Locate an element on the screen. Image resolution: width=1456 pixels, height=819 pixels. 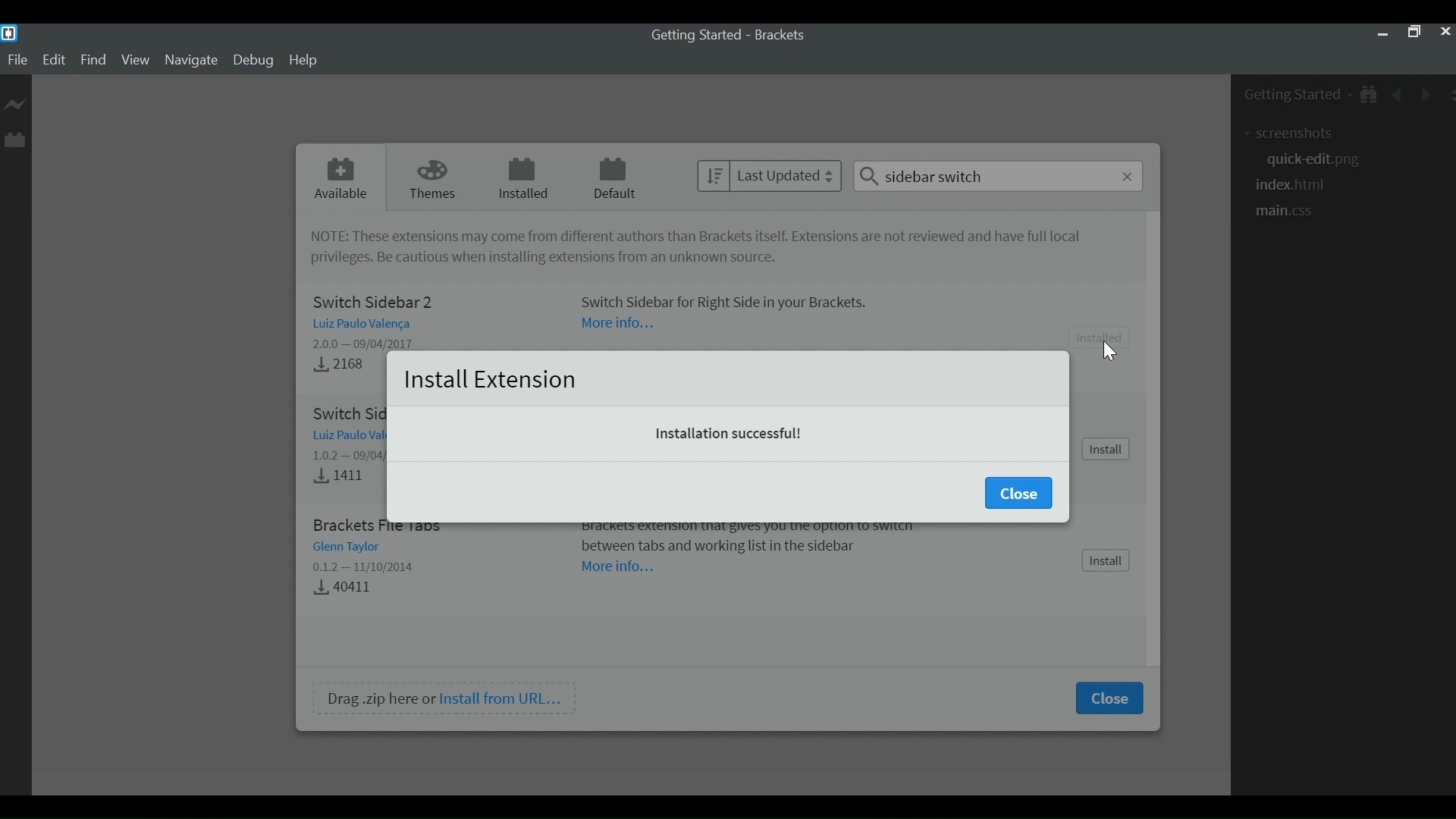
View is located at coordinates (136, 61).